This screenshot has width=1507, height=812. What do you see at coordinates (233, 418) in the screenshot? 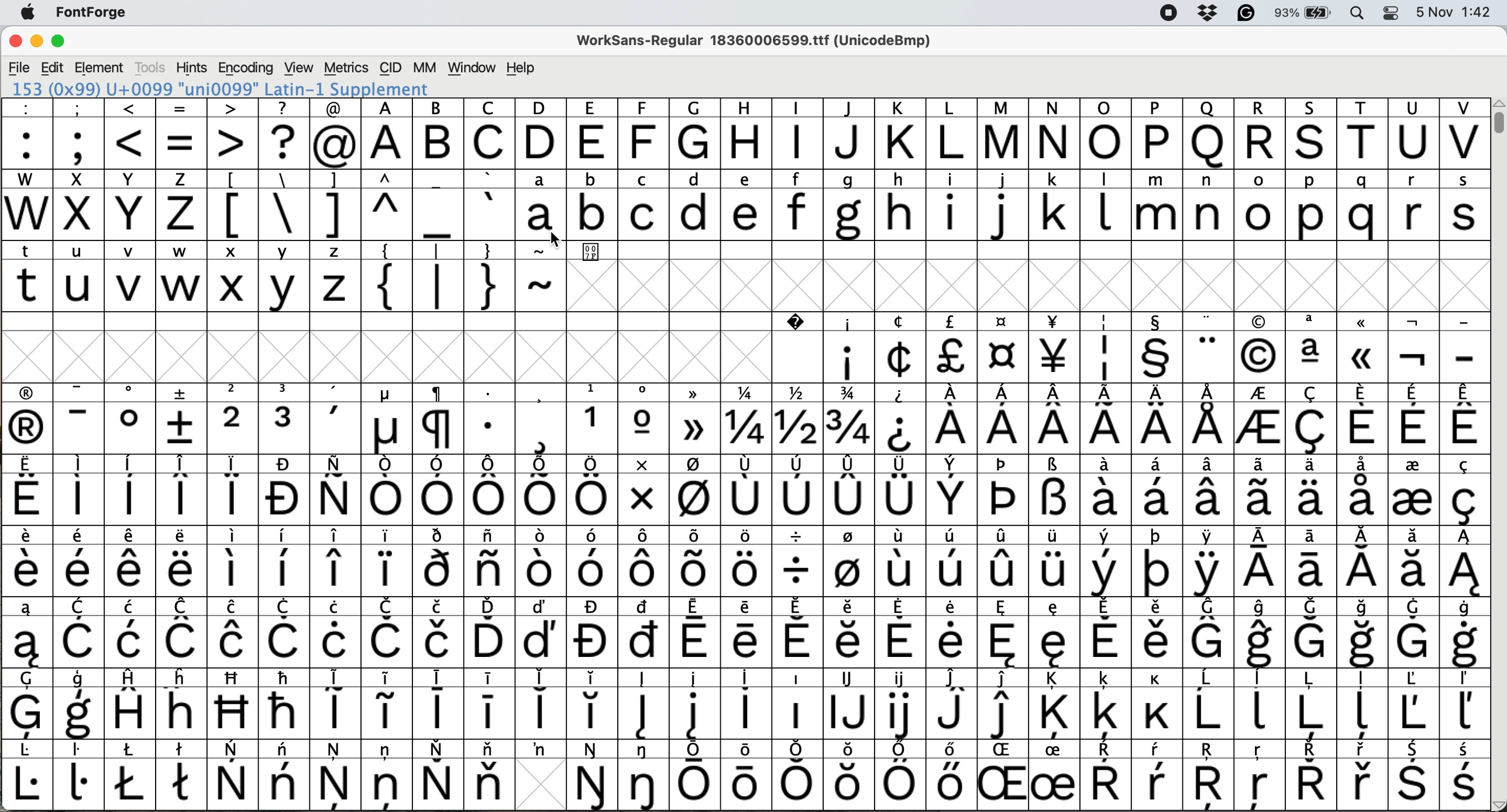
I see `2` at bounding box center [233, 418].